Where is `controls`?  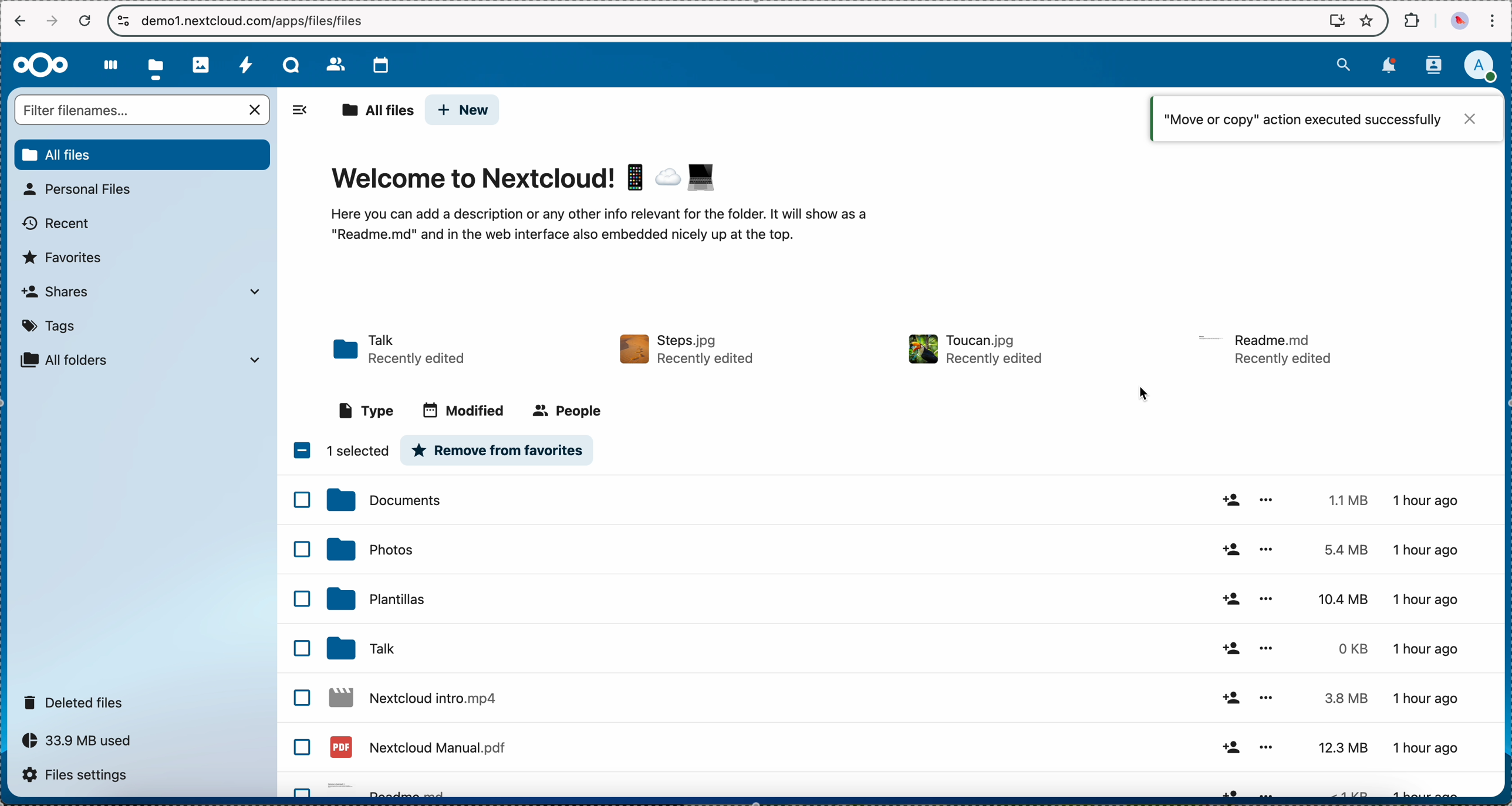
controls is located at coordinates (124, 21).